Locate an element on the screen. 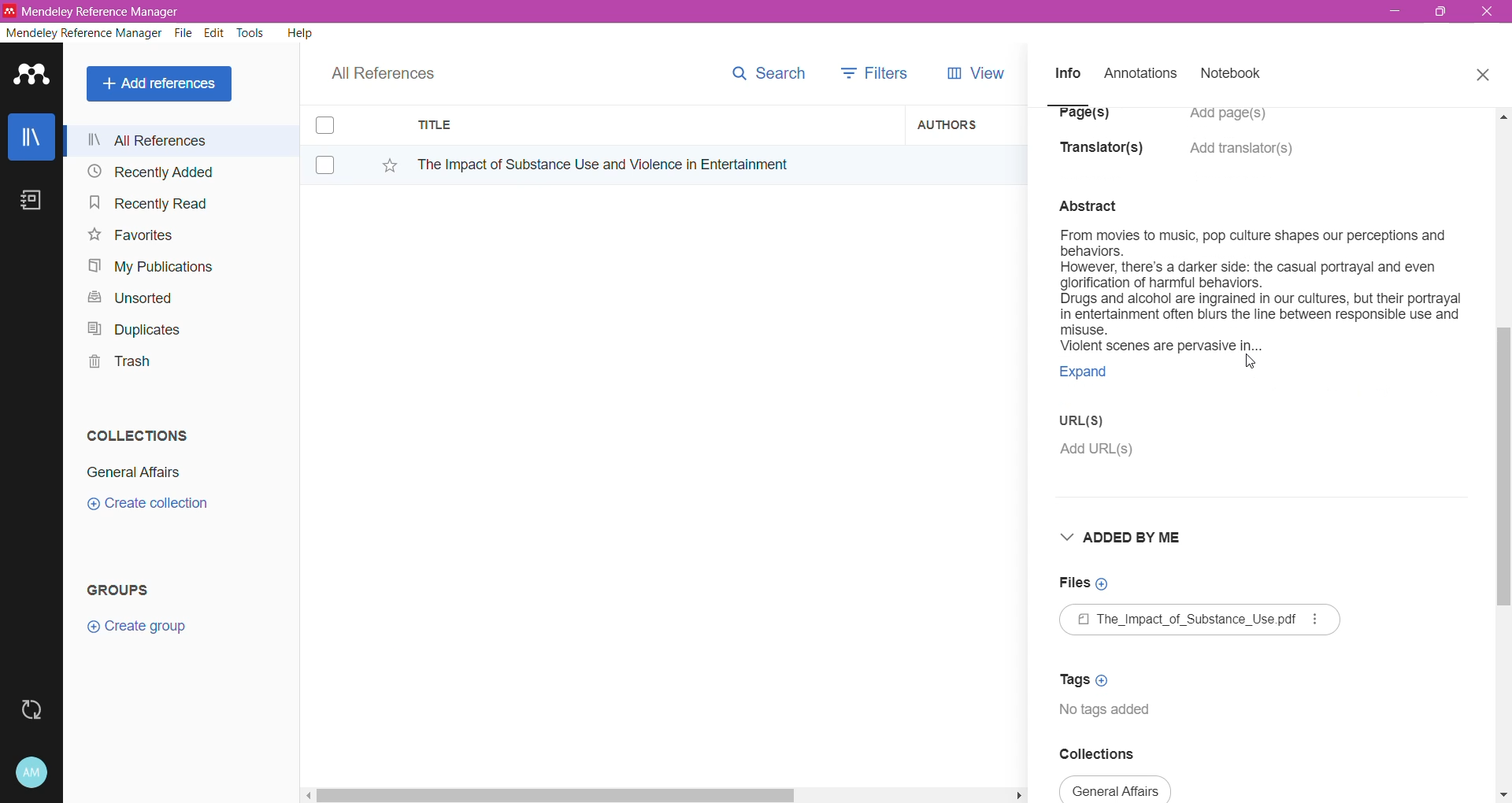 Image resolution: width=1512 pixels, height=803 pixels. Collection Name is located at coordinates (131, 472).